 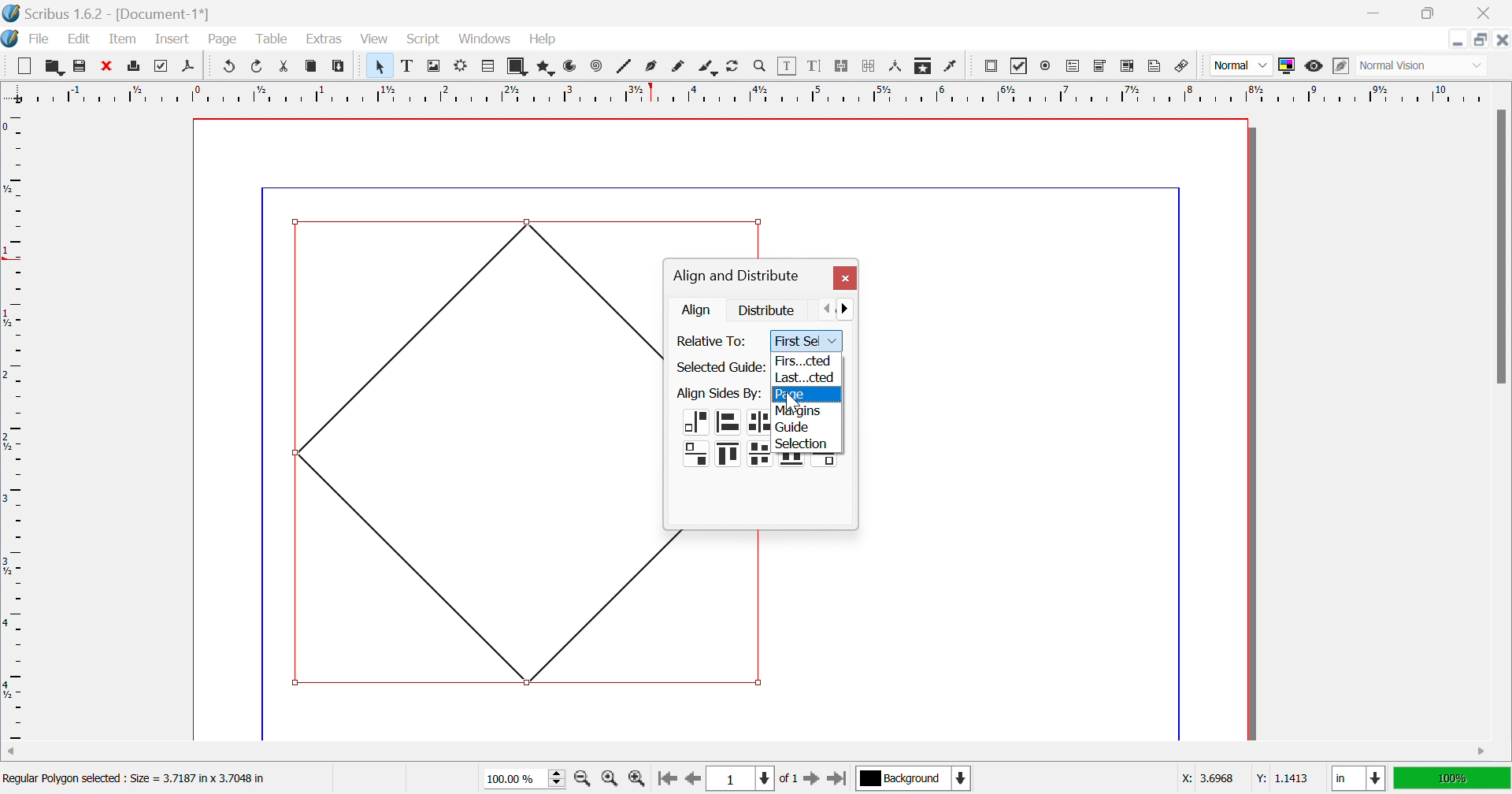 What do you see at coordinates (666, 783) in the screenshot?
I see `Go to the first page` at bounding box center [666, 783].